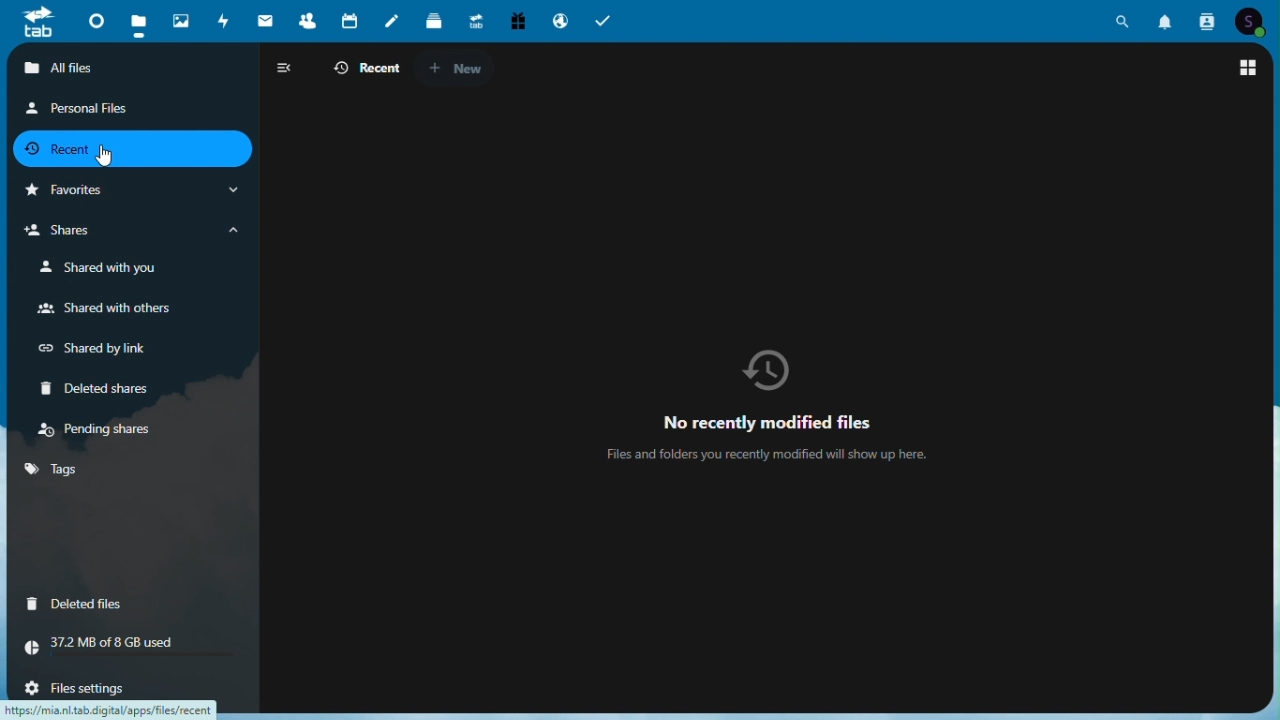 The image size is (1280, 720). Describe the element at coordinates (283, 67) in the screenshot. I see `Collapse side bar` at that location.